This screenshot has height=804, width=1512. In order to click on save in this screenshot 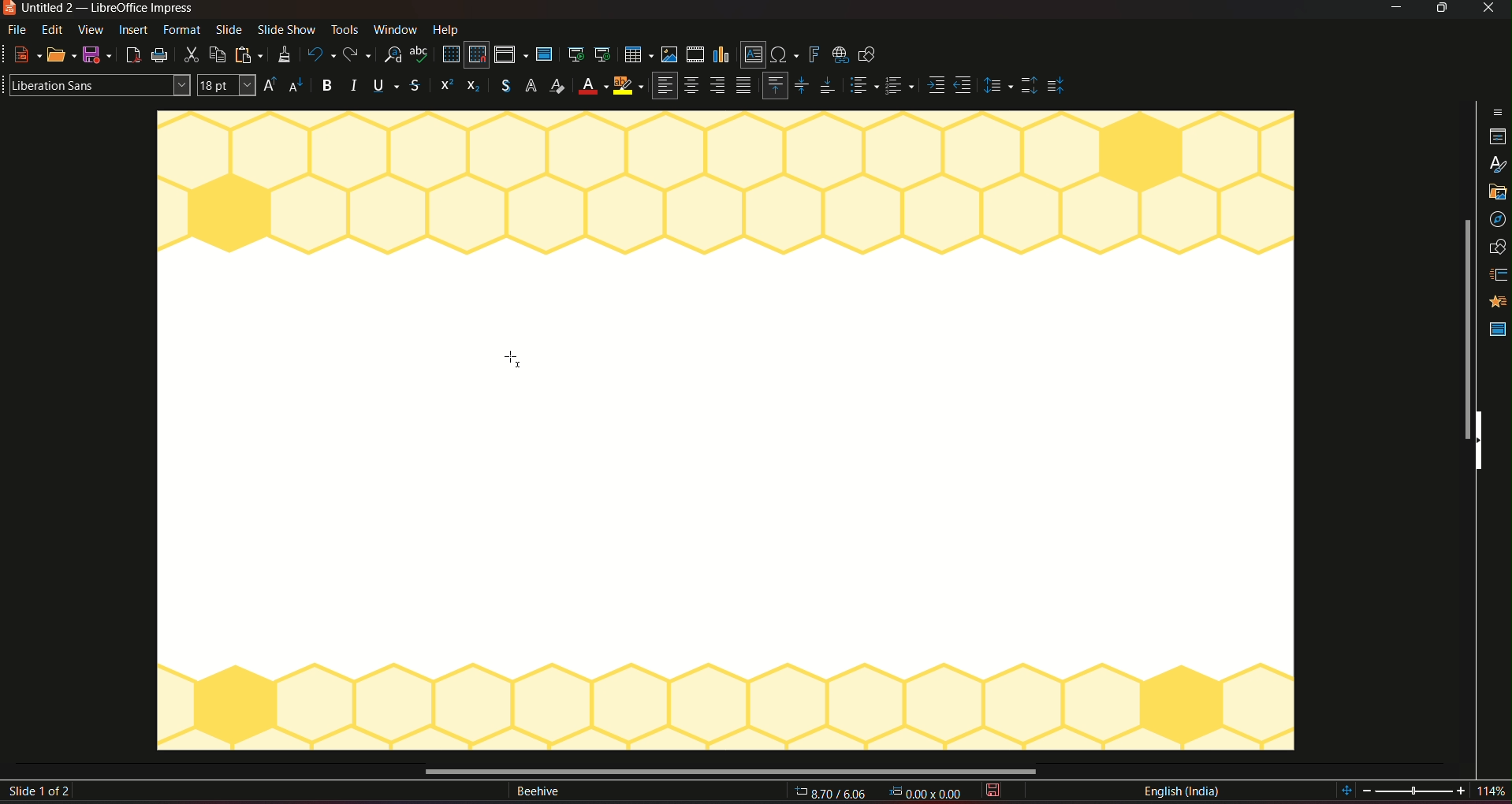, I will do `click(97, 54)`.